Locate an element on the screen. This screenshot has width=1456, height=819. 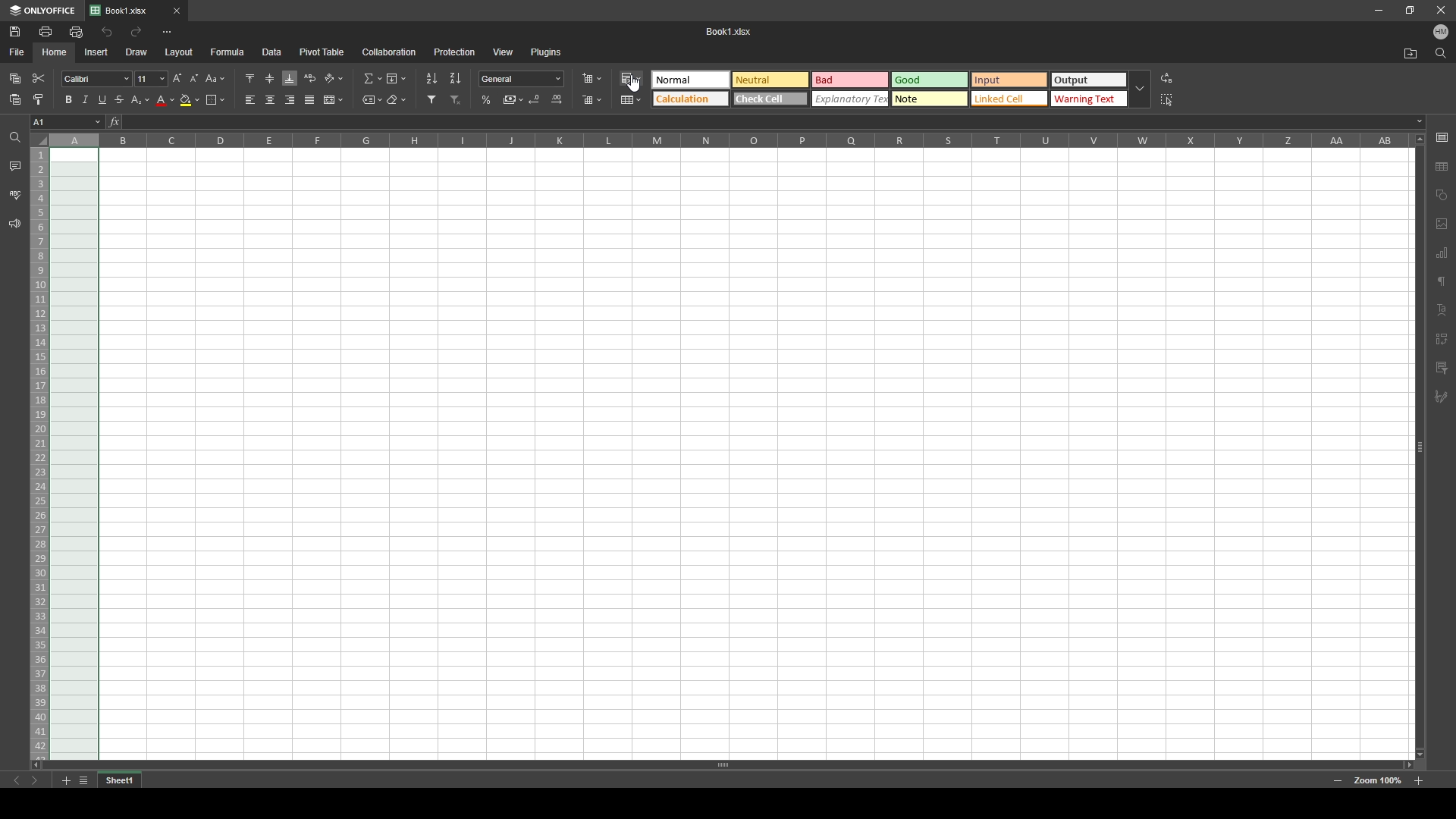
layout is located at coordinates (179, 52).